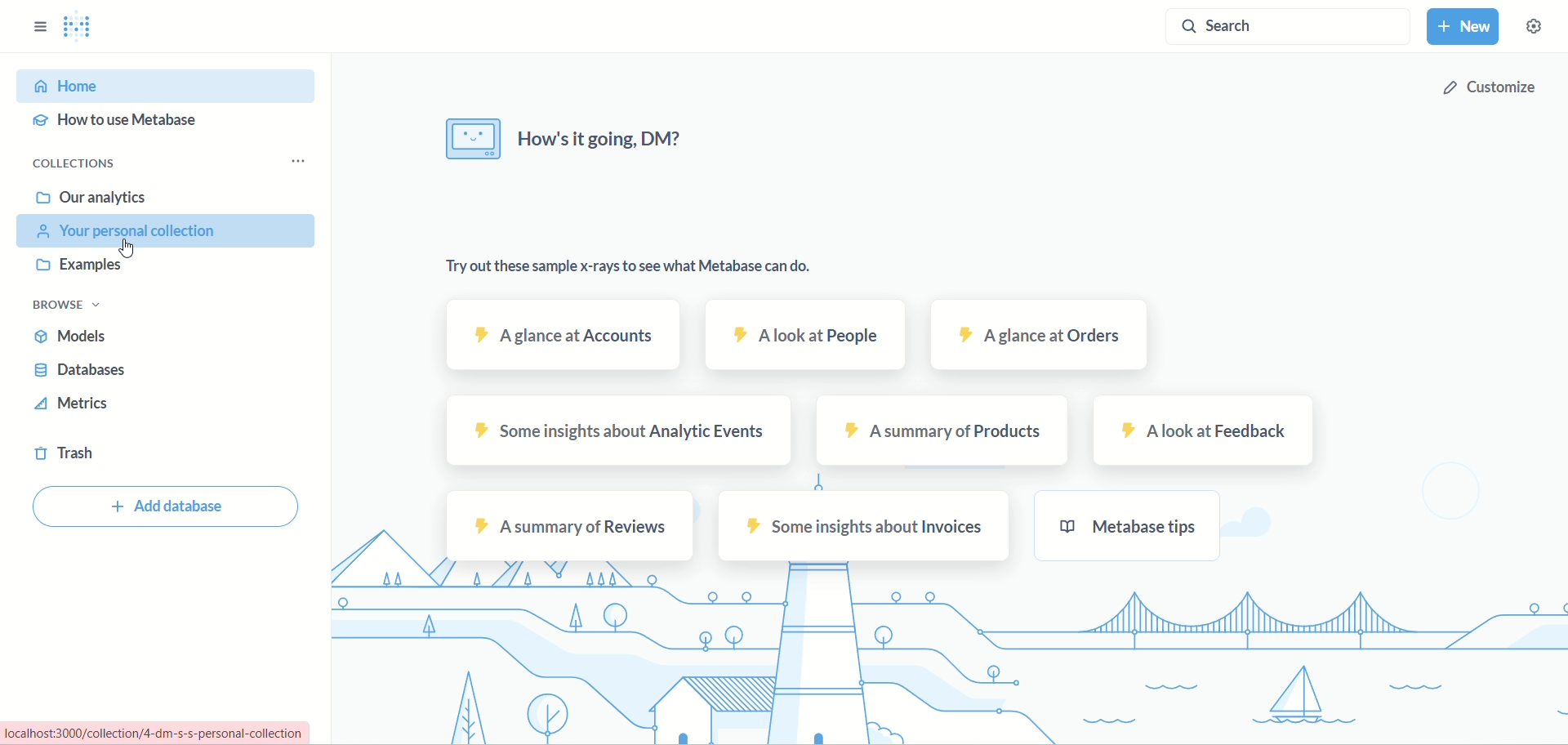 The width and height of the screenshot is (1568, 745). Describe the element at coordinates (160, 87) in the screenshot. I see `home` at that location.